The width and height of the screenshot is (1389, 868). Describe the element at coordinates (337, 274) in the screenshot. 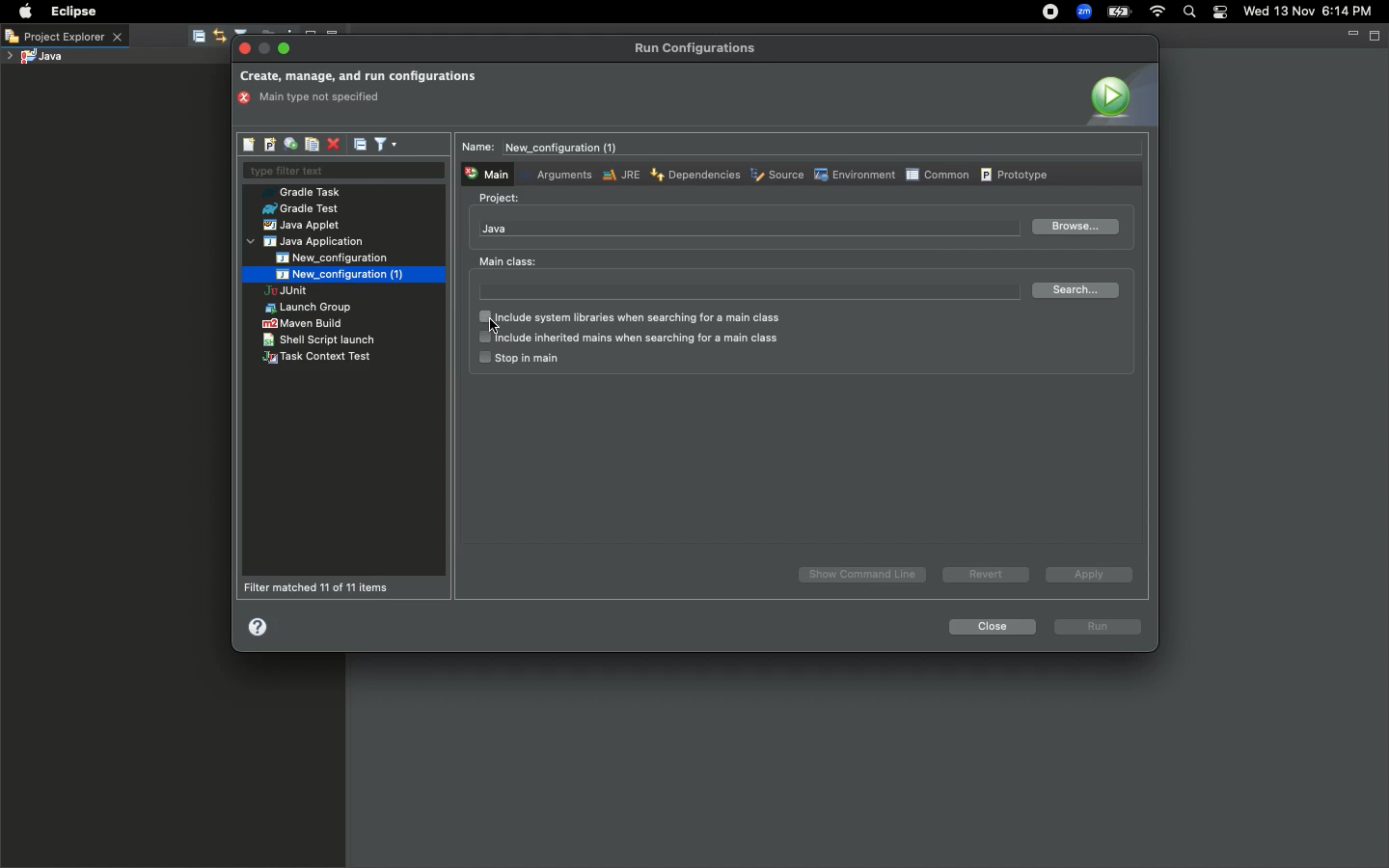

I see `New_configuration (1)` at that location.